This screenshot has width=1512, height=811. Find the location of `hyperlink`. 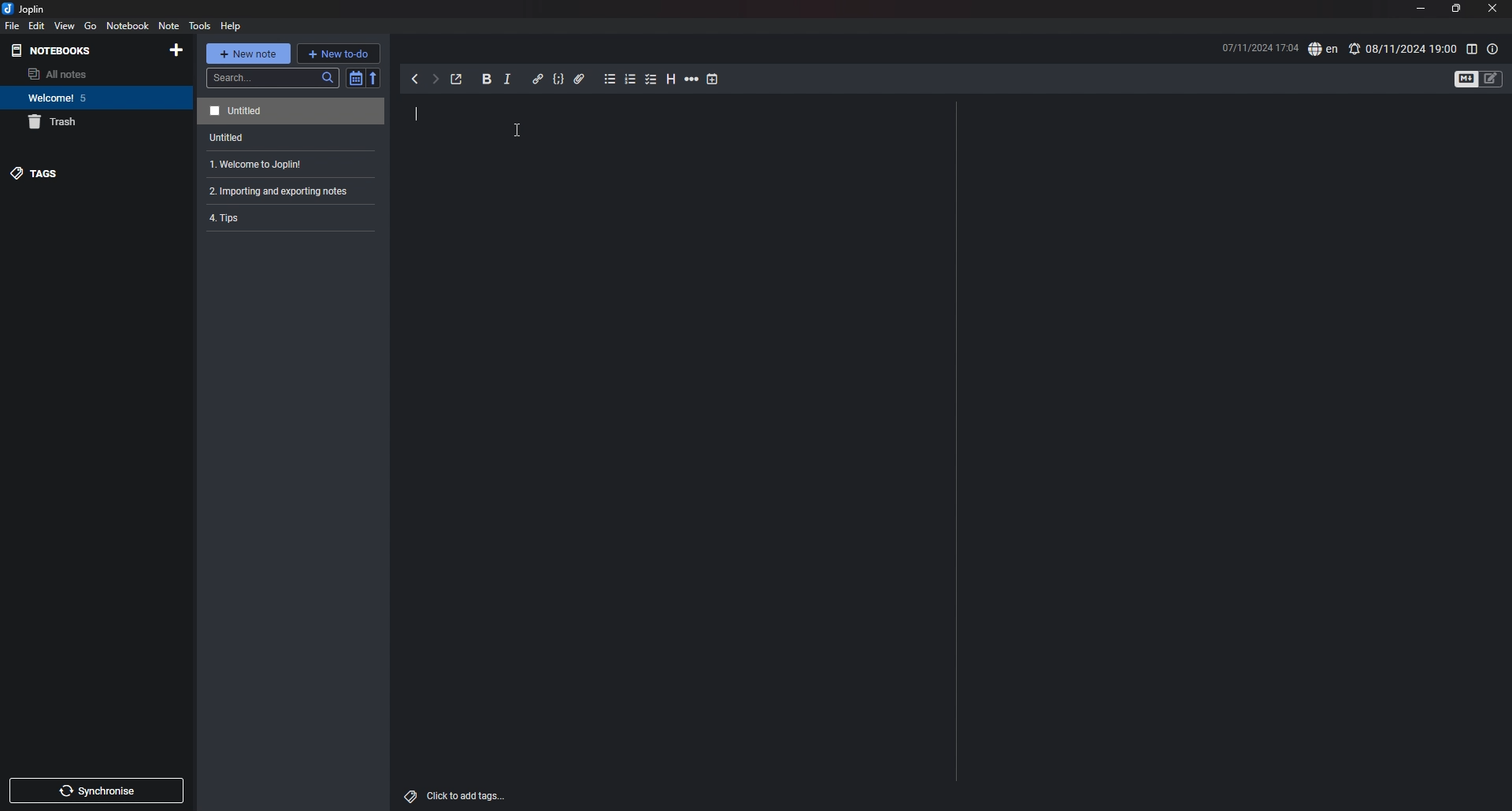

hyperlink is located at coordinates (539, 79).